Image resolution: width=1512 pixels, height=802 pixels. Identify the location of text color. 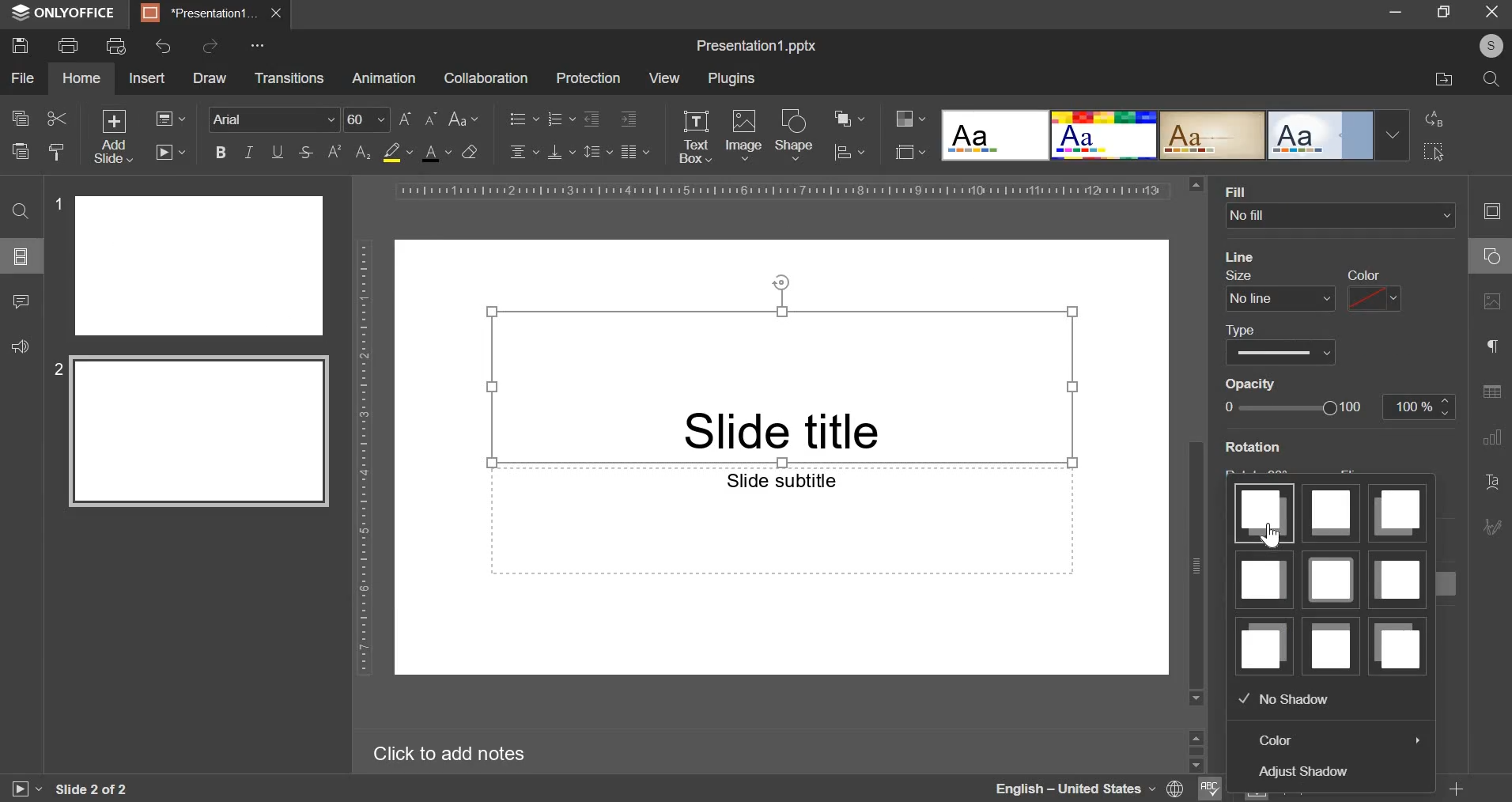
(436, 153).